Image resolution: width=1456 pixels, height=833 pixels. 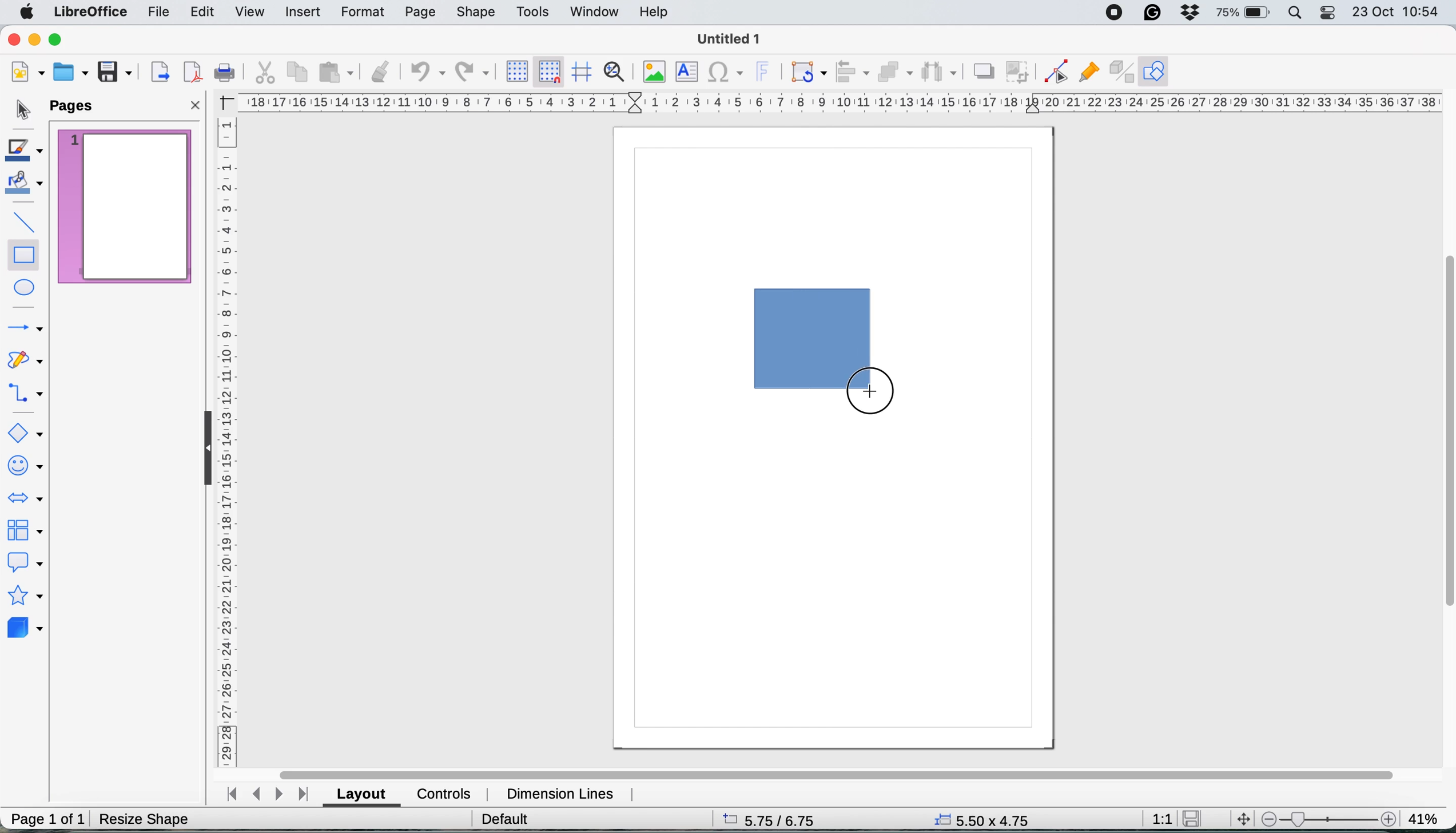 I want to click on selection tool, so click(x=23, y=112).